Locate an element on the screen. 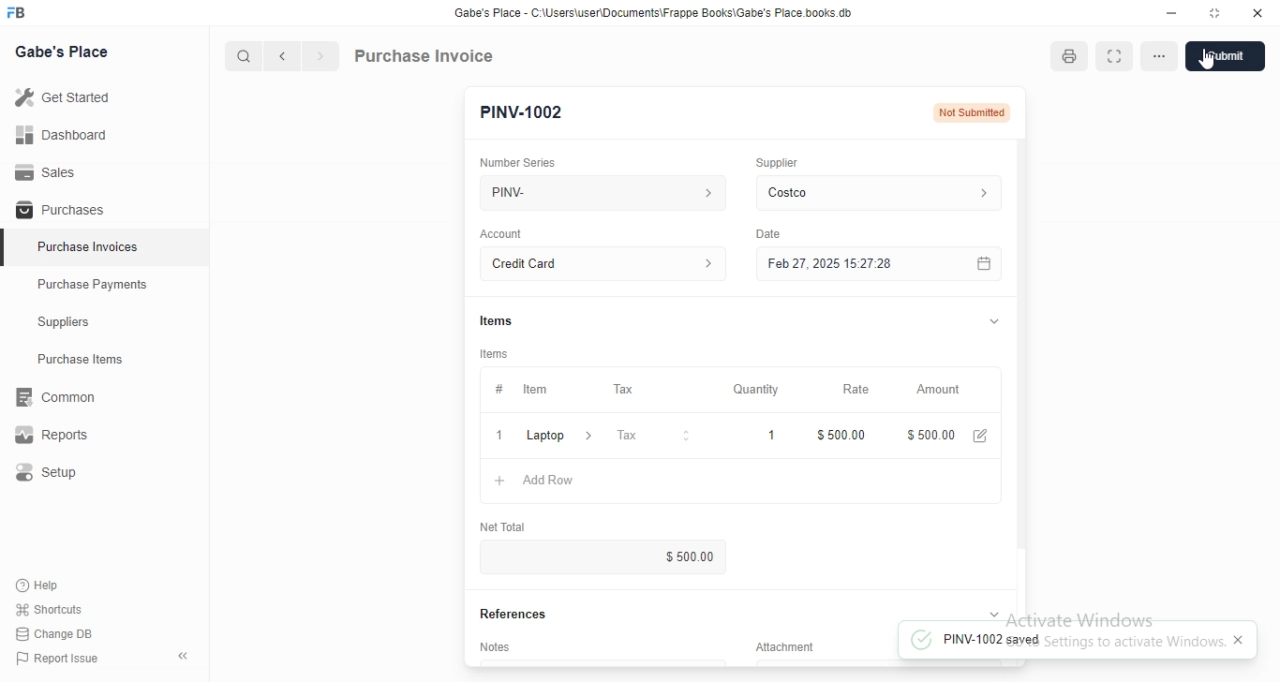 The width and height of the screenshot is (1280, 682). Get Started is located at coordinates (104, 97).